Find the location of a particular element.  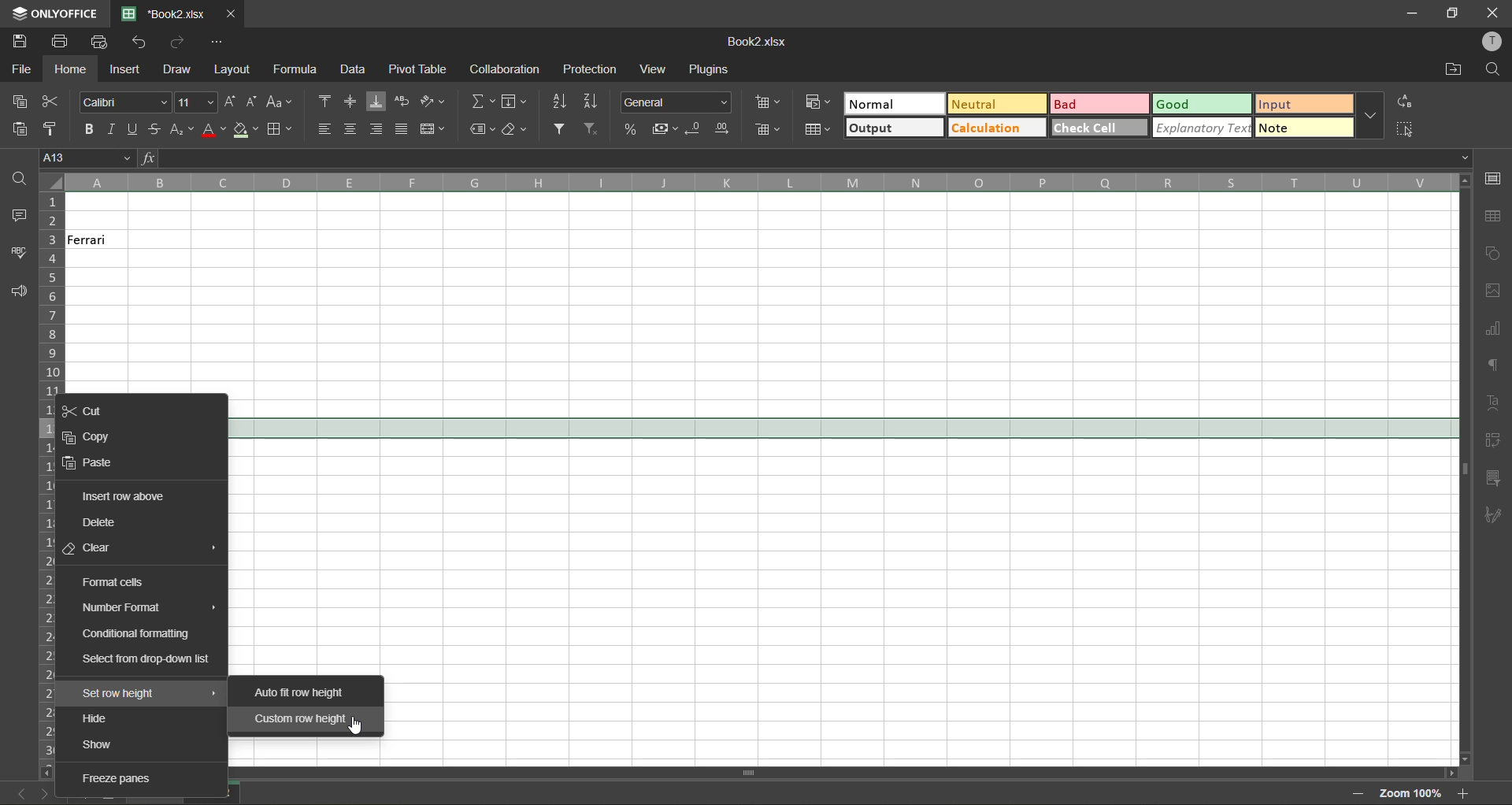

copy is located at coordinates (86, 437).